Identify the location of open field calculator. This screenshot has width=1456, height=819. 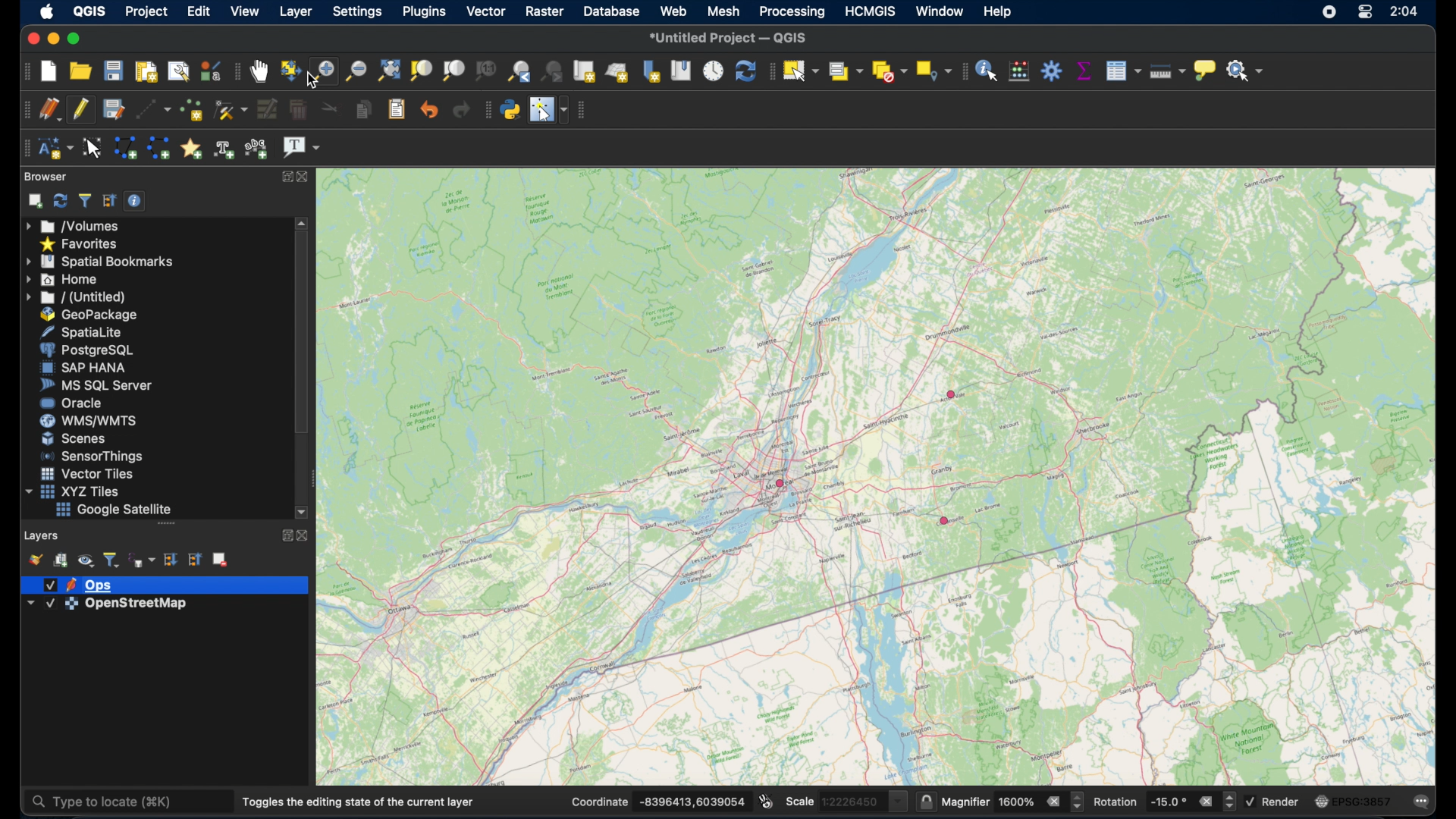
(1020, 70).